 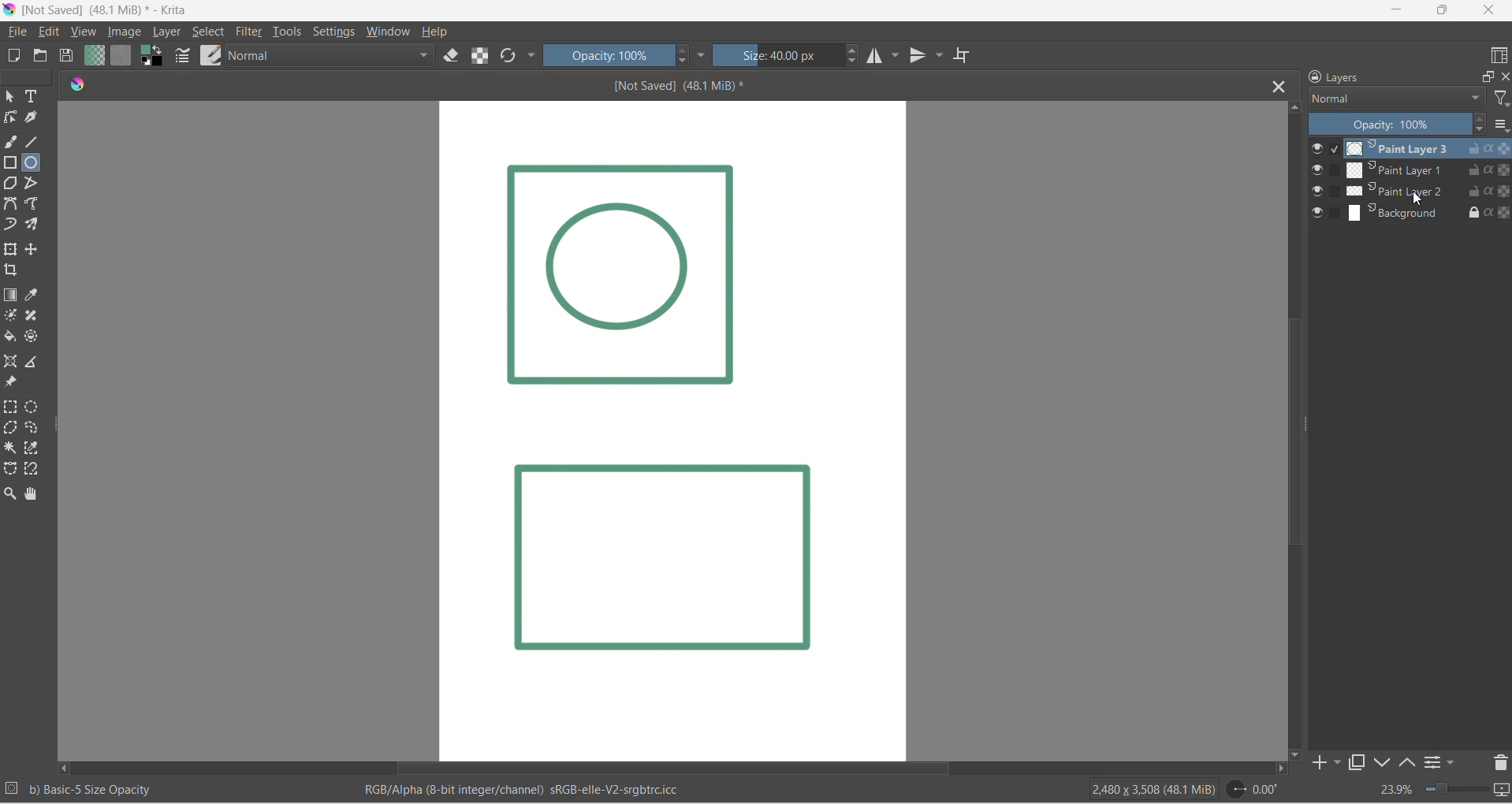 I want to click on new file, so click(x=18, y=55).